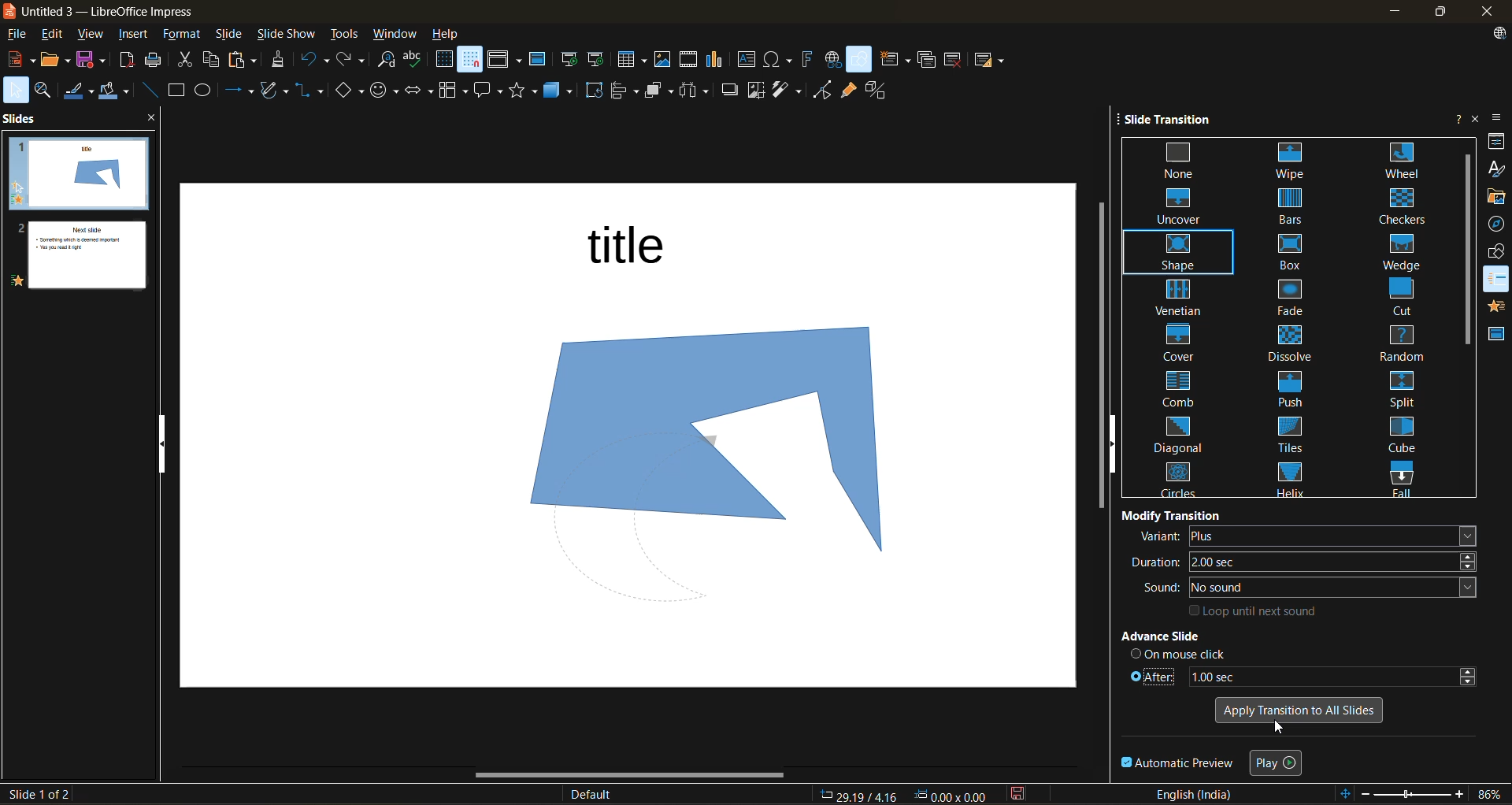 This screenshot has height=805, width=1512. What do you see at coordinates (506, 61) in the screenshot?
I see `display views` at bounding box center [506, 61].